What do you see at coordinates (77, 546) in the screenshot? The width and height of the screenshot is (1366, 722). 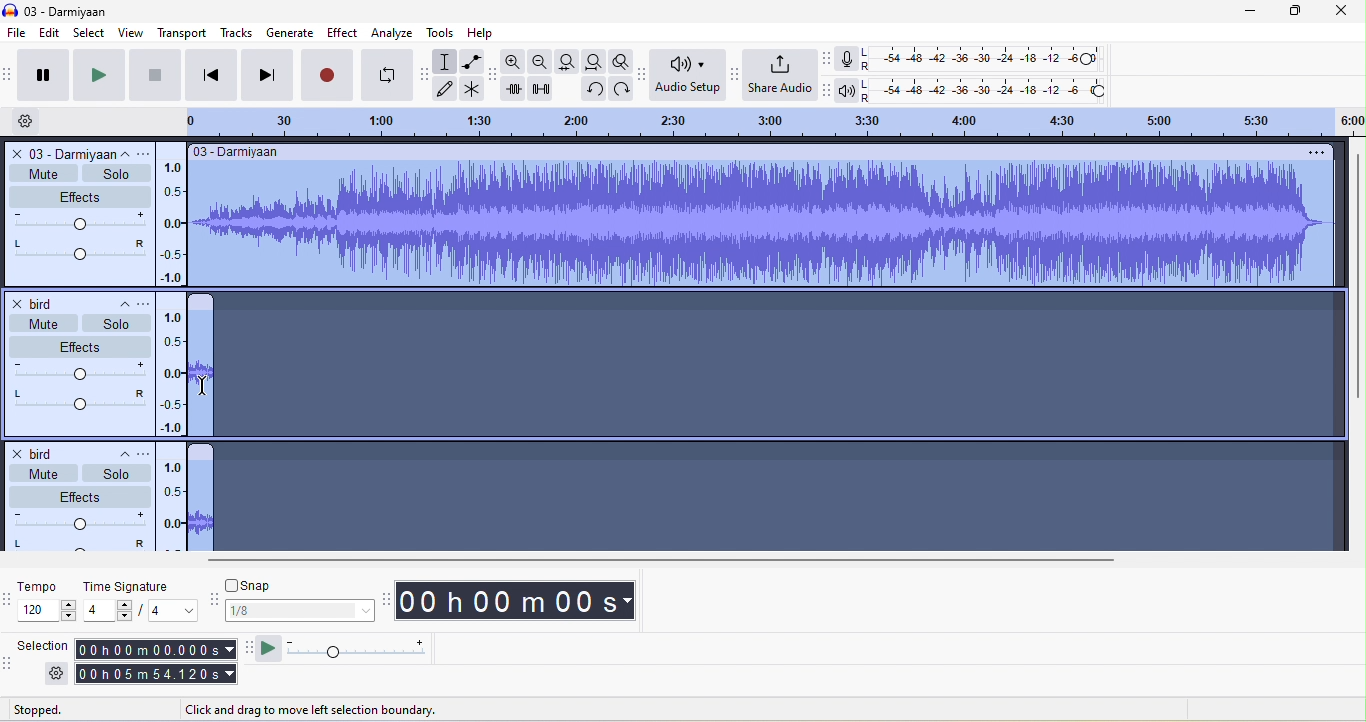 I see `pan:center` at bounding box center [77, 546].